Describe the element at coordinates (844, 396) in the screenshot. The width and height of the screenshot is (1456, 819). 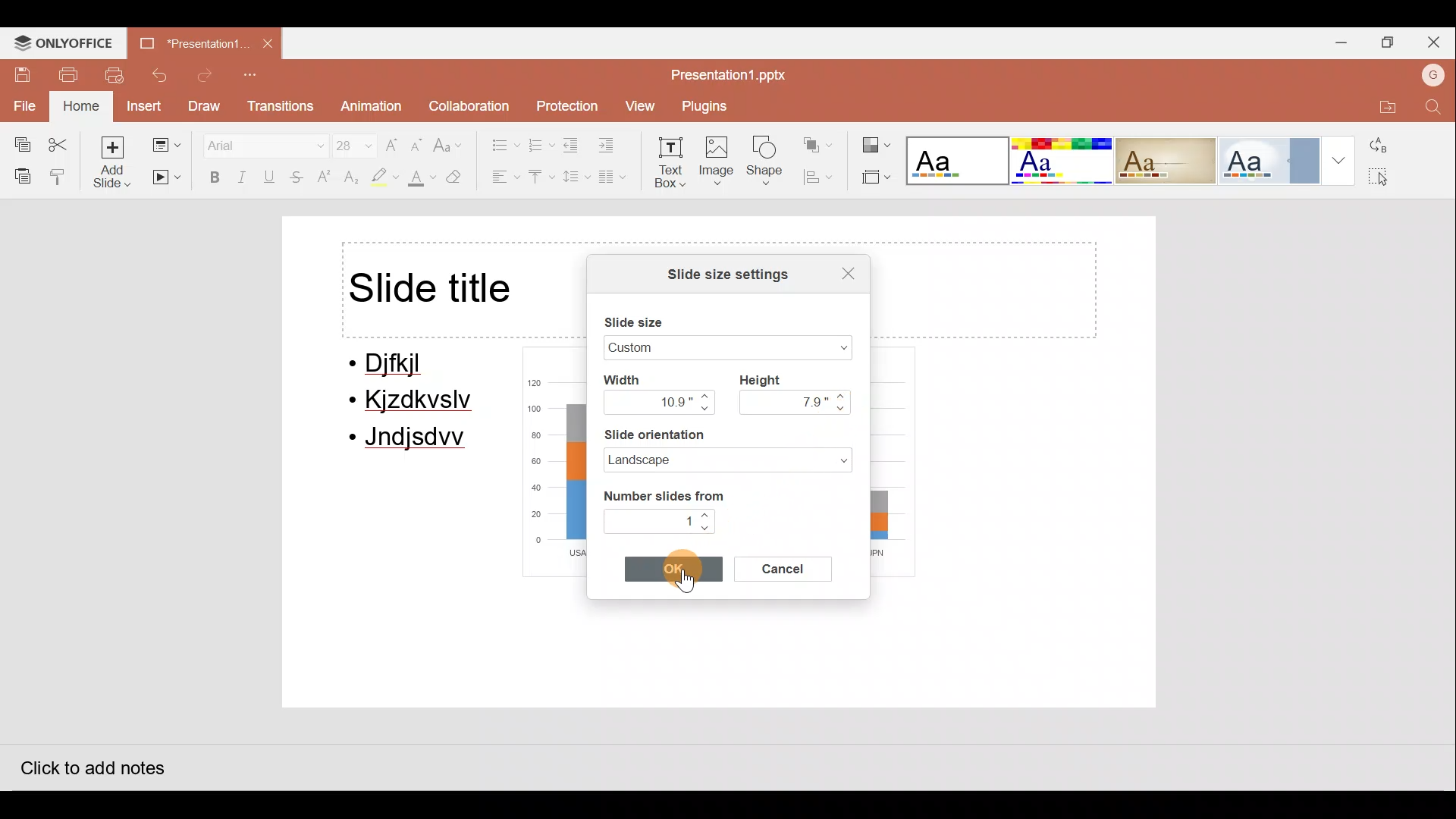
I see `Navigate up` at that location.